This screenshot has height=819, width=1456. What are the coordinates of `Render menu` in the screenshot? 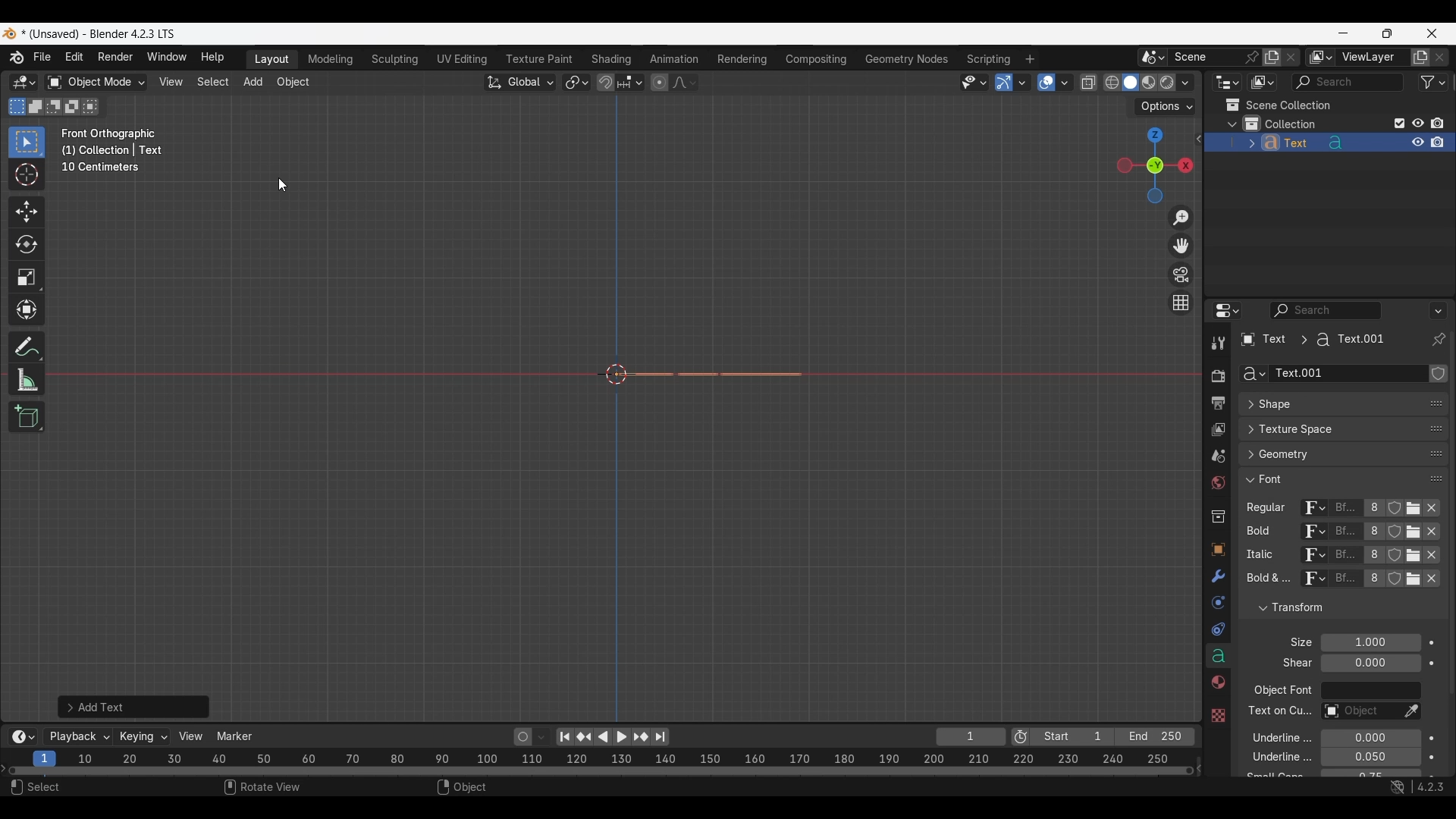 It's located at (115, 58).